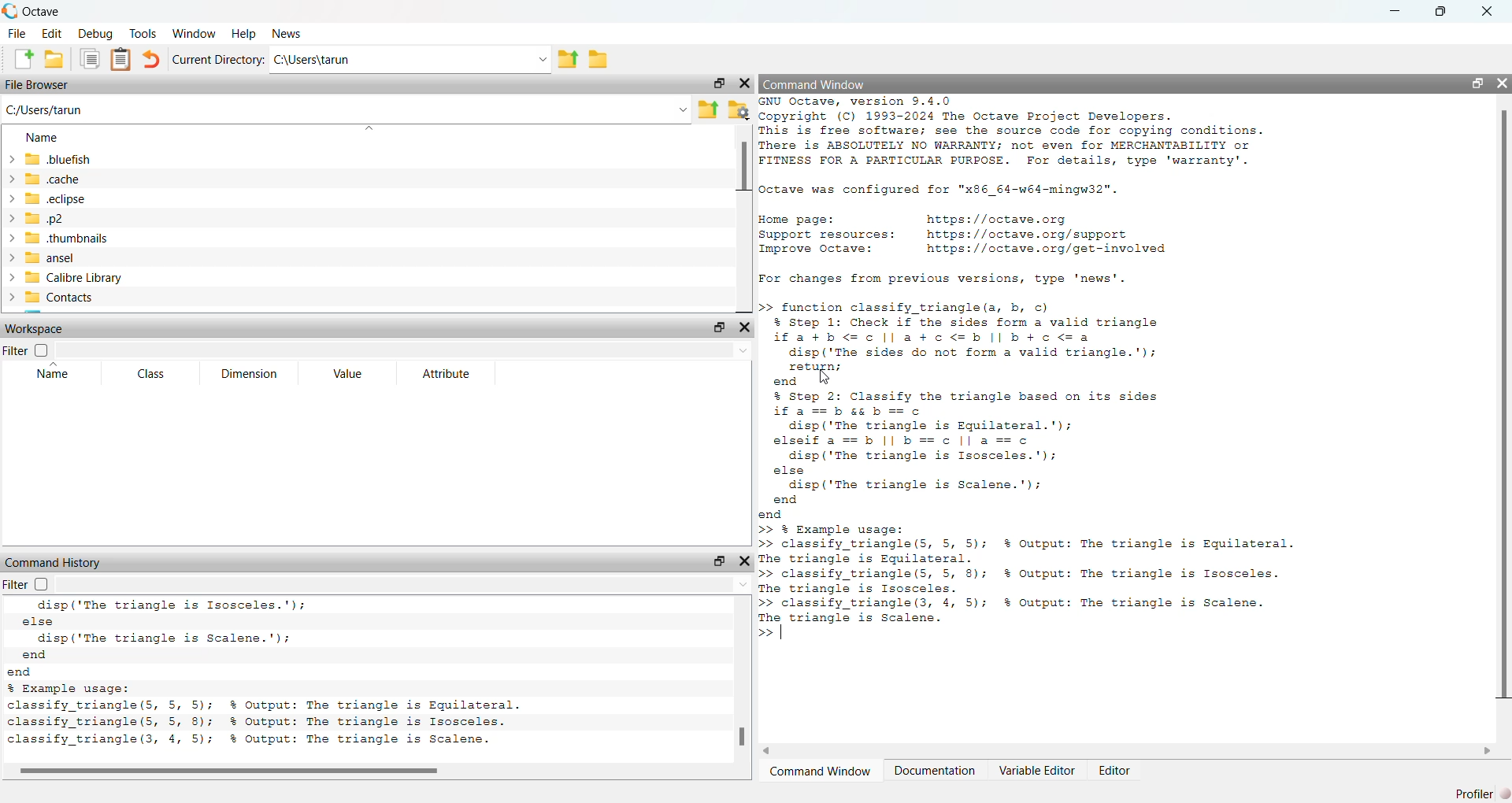 This screenshot has width=1512, height=803. Describe the element at coordinates (773, 749) in the screenshot. I see `move left` at that location.